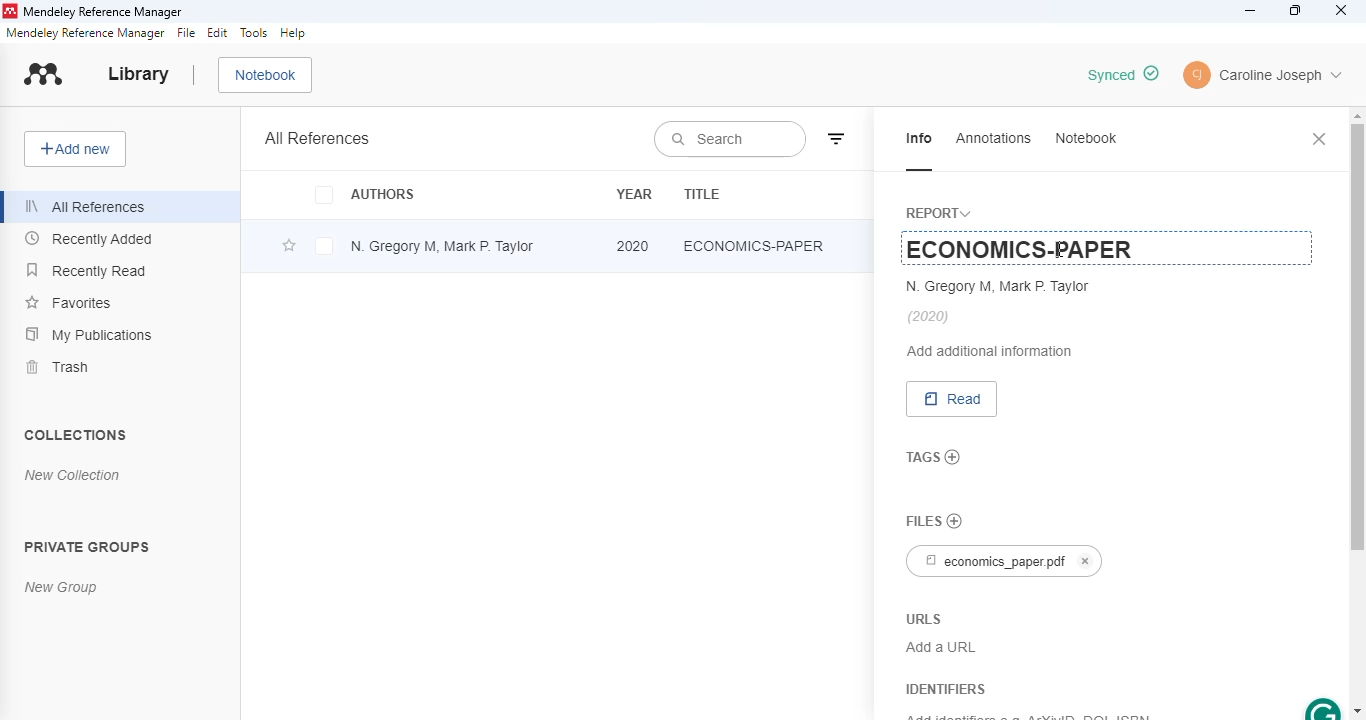 This screenshot has width=1366, height=720. What do you see at coordinates (945, 689) in the screenshot?
I see `identifiers` at bounding box center [945, 689].